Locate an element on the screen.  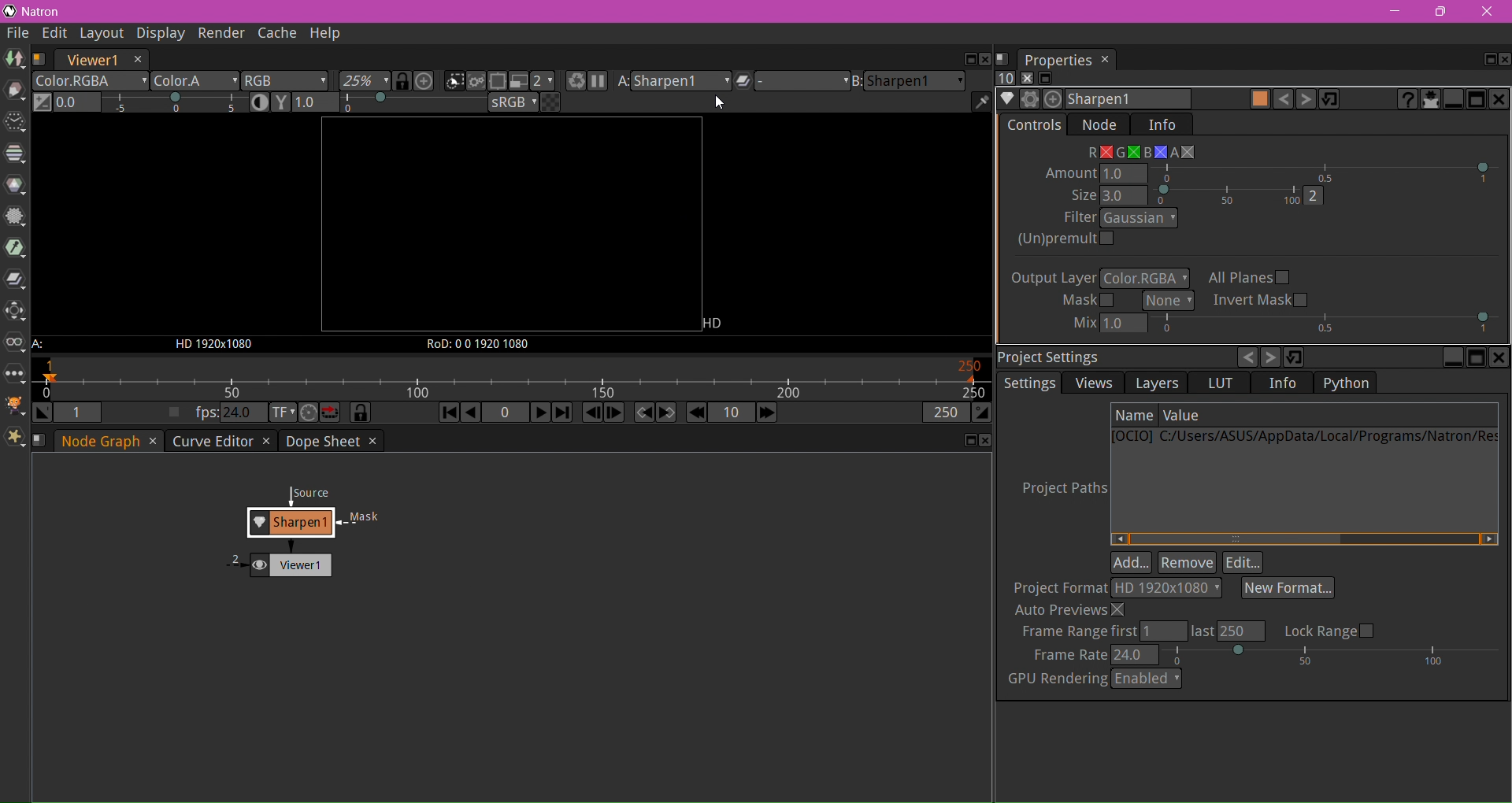
Project Settings is located at coordinates (1051, 356).